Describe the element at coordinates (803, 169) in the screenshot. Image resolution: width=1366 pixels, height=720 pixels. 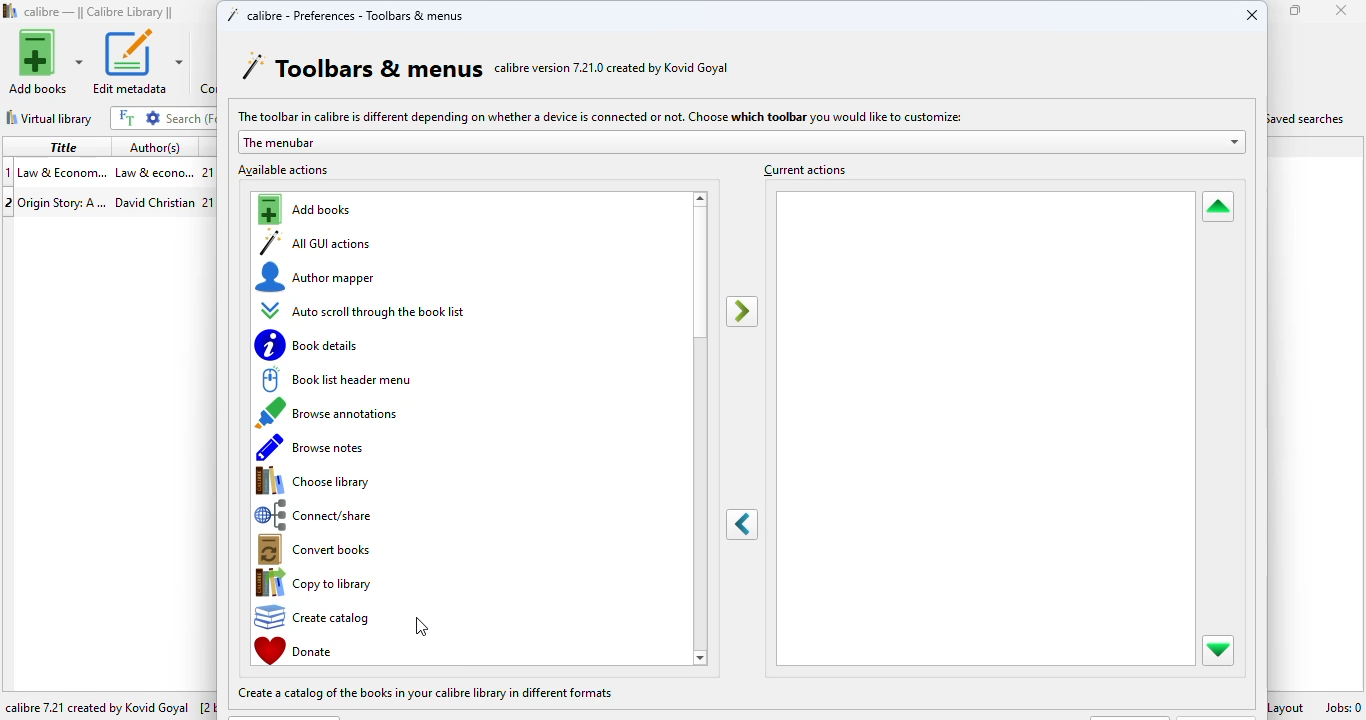
I see `current actions` at that location.